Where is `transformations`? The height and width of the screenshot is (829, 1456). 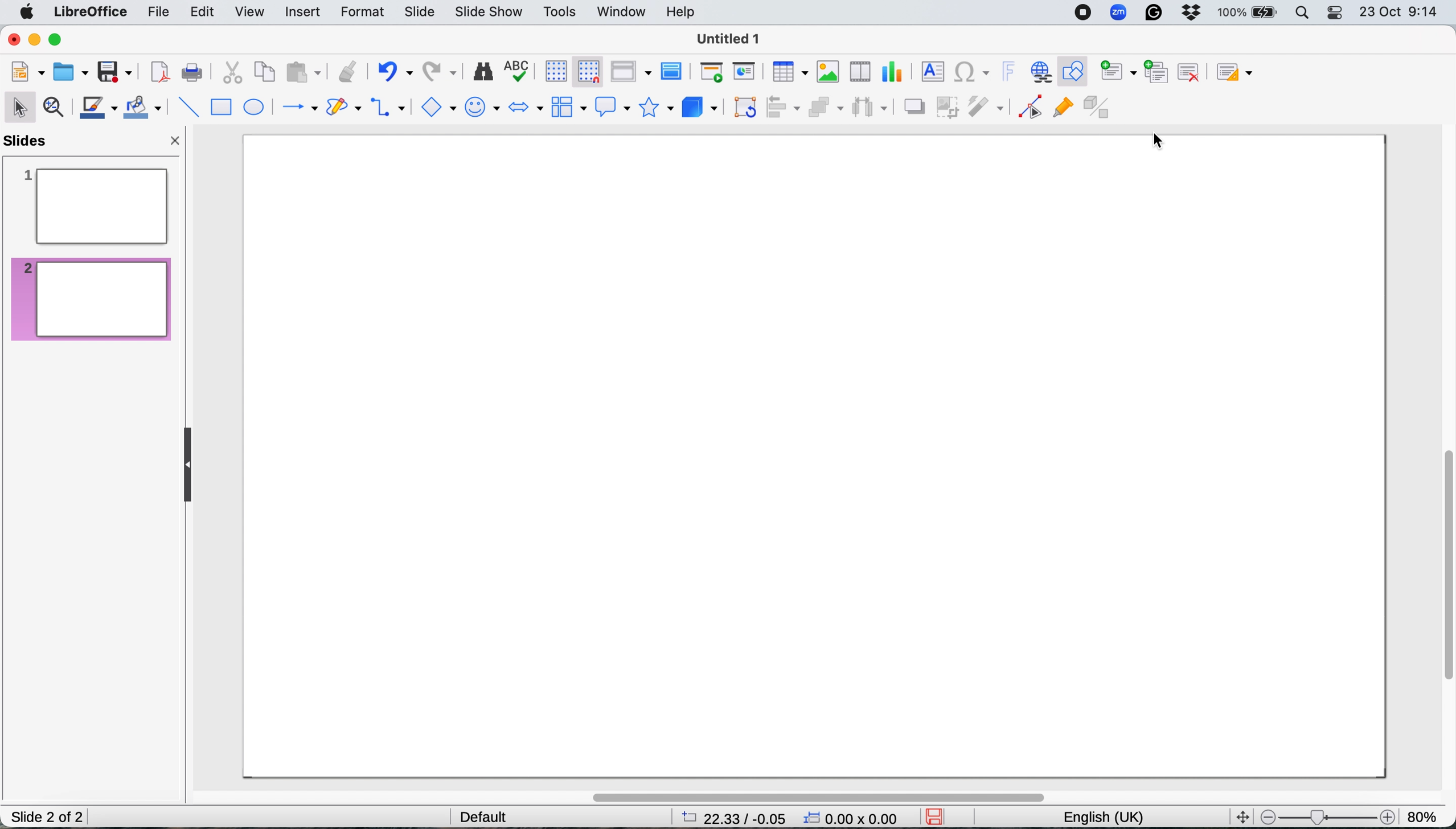 transformations is located at coordinates (745, 108).